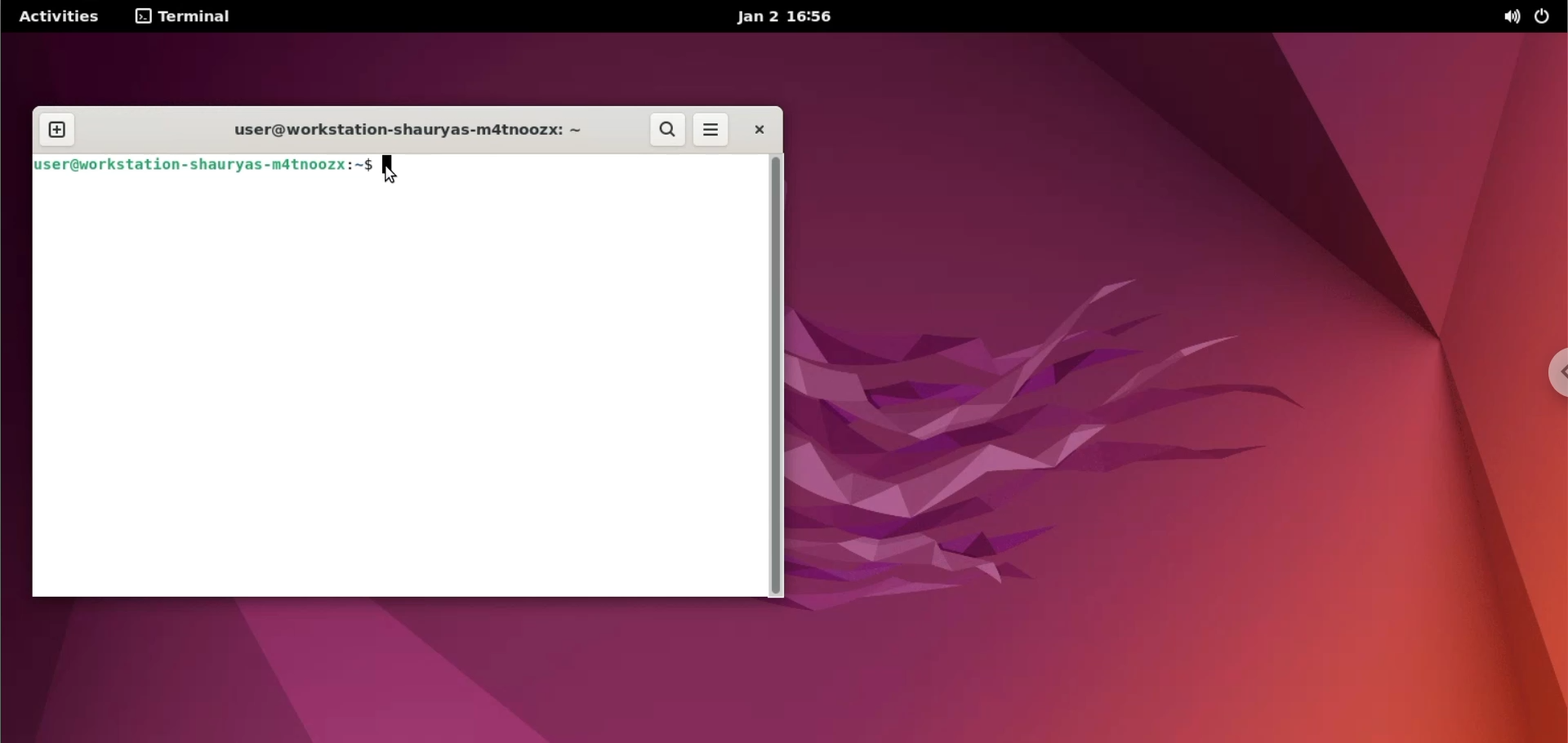  I want to click on power options, so click(1546, 17).